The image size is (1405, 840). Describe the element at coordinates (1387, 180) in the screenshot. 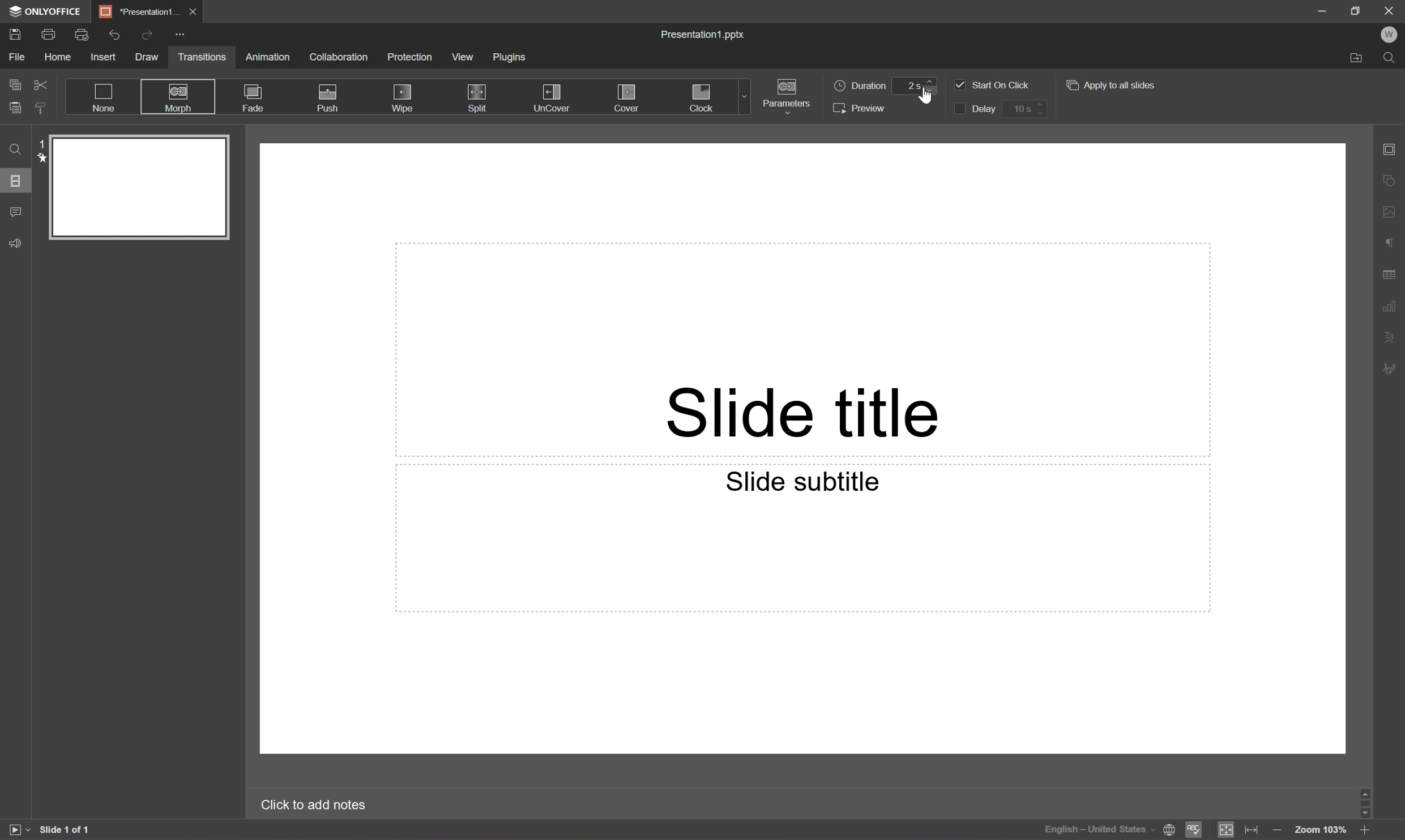

I see `Shape settings` at that location.